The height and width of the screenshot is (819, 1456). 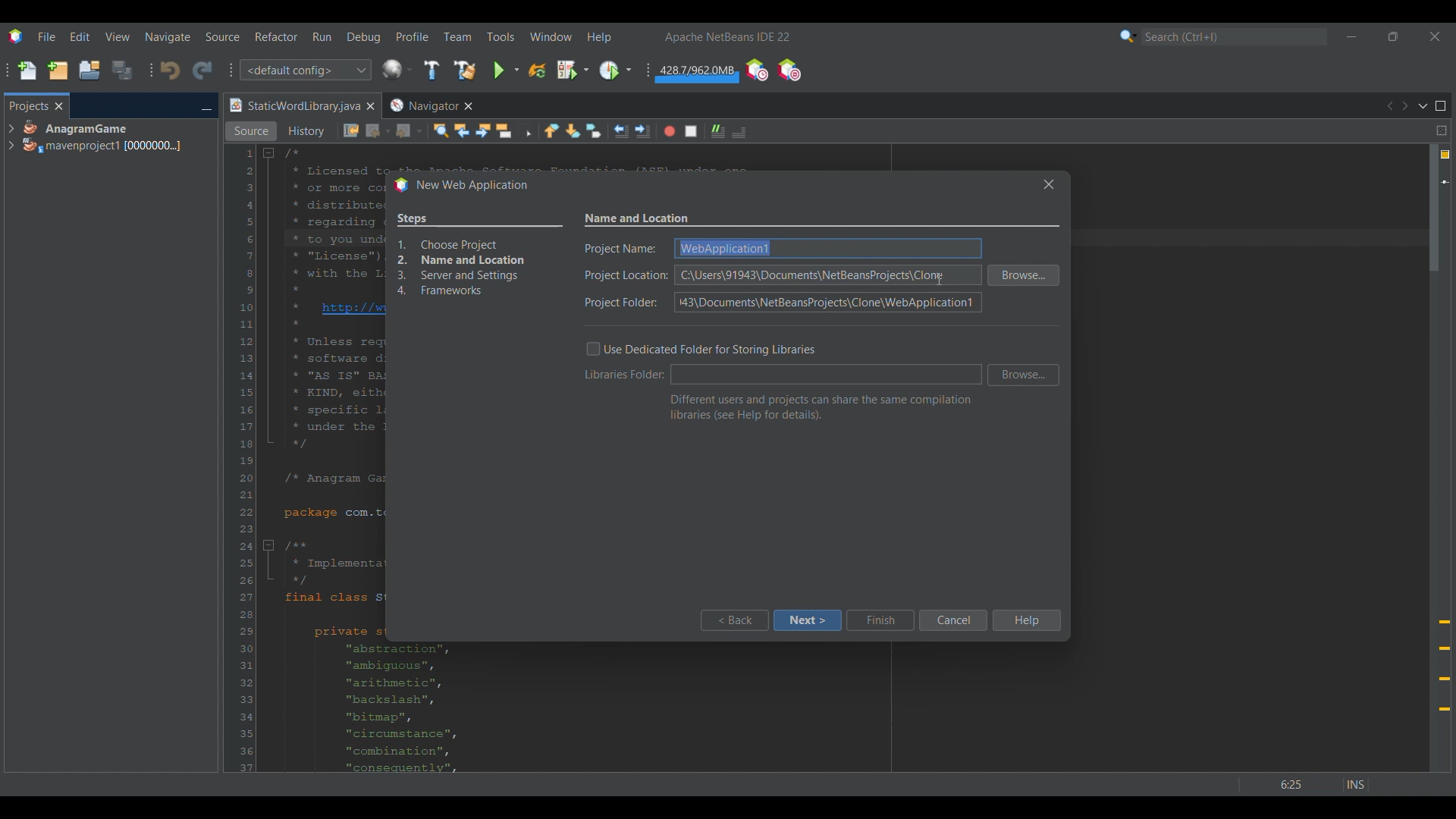 What do you see at coordinates (251, 131) in the screenshot?
I see `Source view` at bounding box center [251, 131].